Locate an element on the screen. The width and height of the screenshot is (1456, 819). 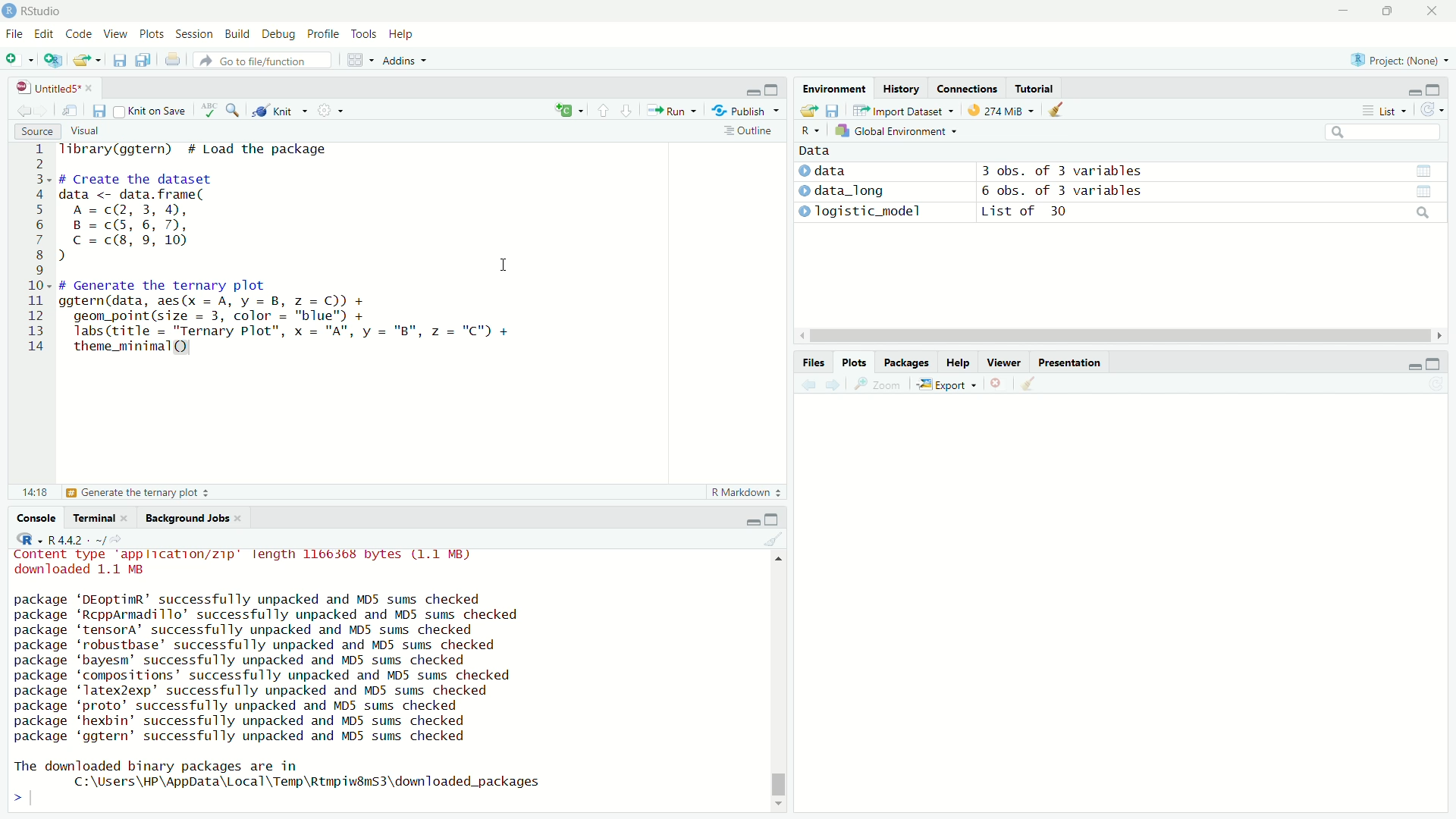
Help is located at coordinates (955, 363).